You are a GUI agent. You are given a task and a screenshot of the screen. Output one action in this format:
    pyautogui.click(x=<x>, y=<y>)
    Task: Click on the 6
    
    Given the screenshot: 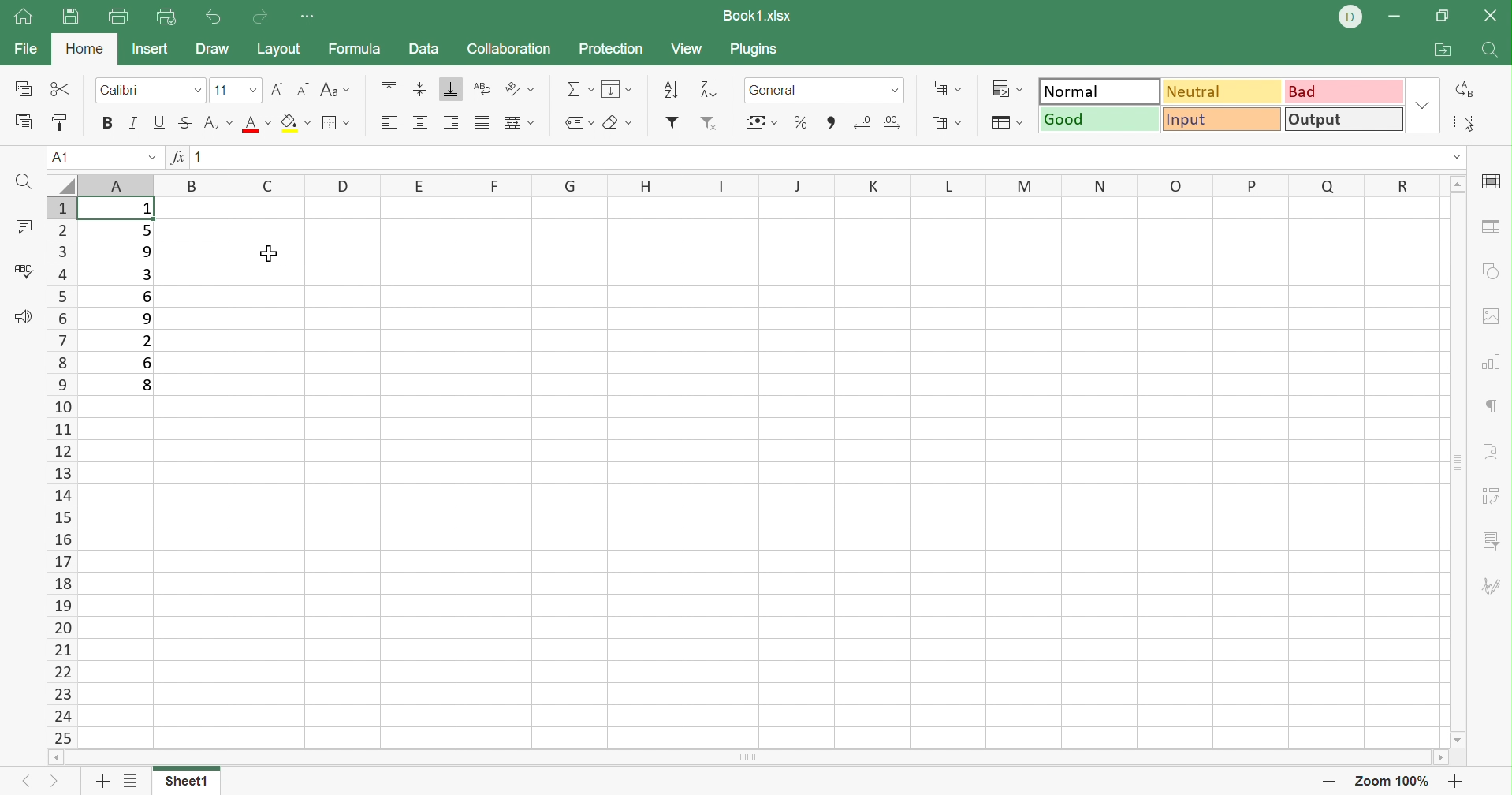 What is the action you would take?
    pyautogui.click(x=151, y=364)
    